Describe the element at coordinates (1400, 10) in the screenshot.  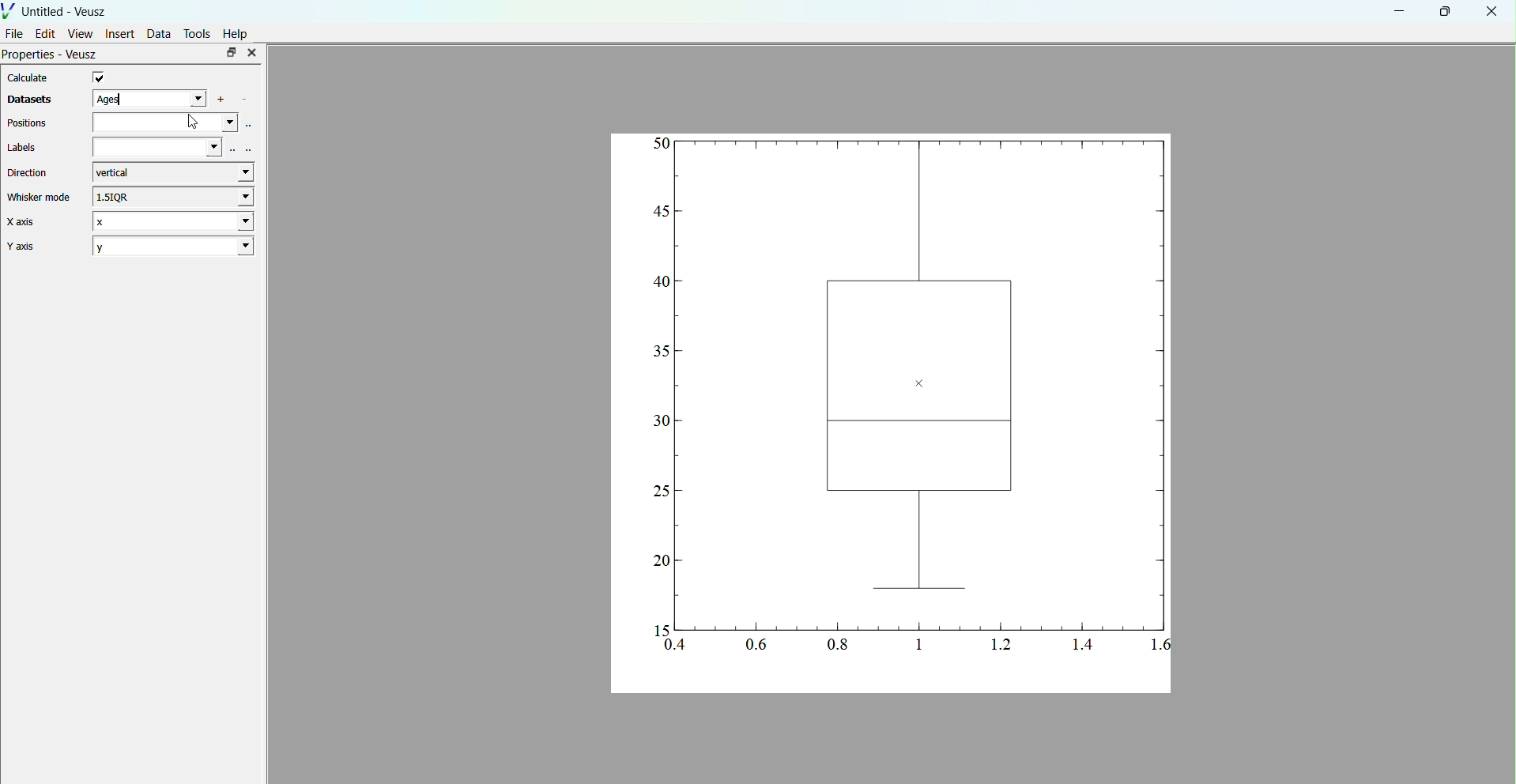
I see `minimise` at that location.